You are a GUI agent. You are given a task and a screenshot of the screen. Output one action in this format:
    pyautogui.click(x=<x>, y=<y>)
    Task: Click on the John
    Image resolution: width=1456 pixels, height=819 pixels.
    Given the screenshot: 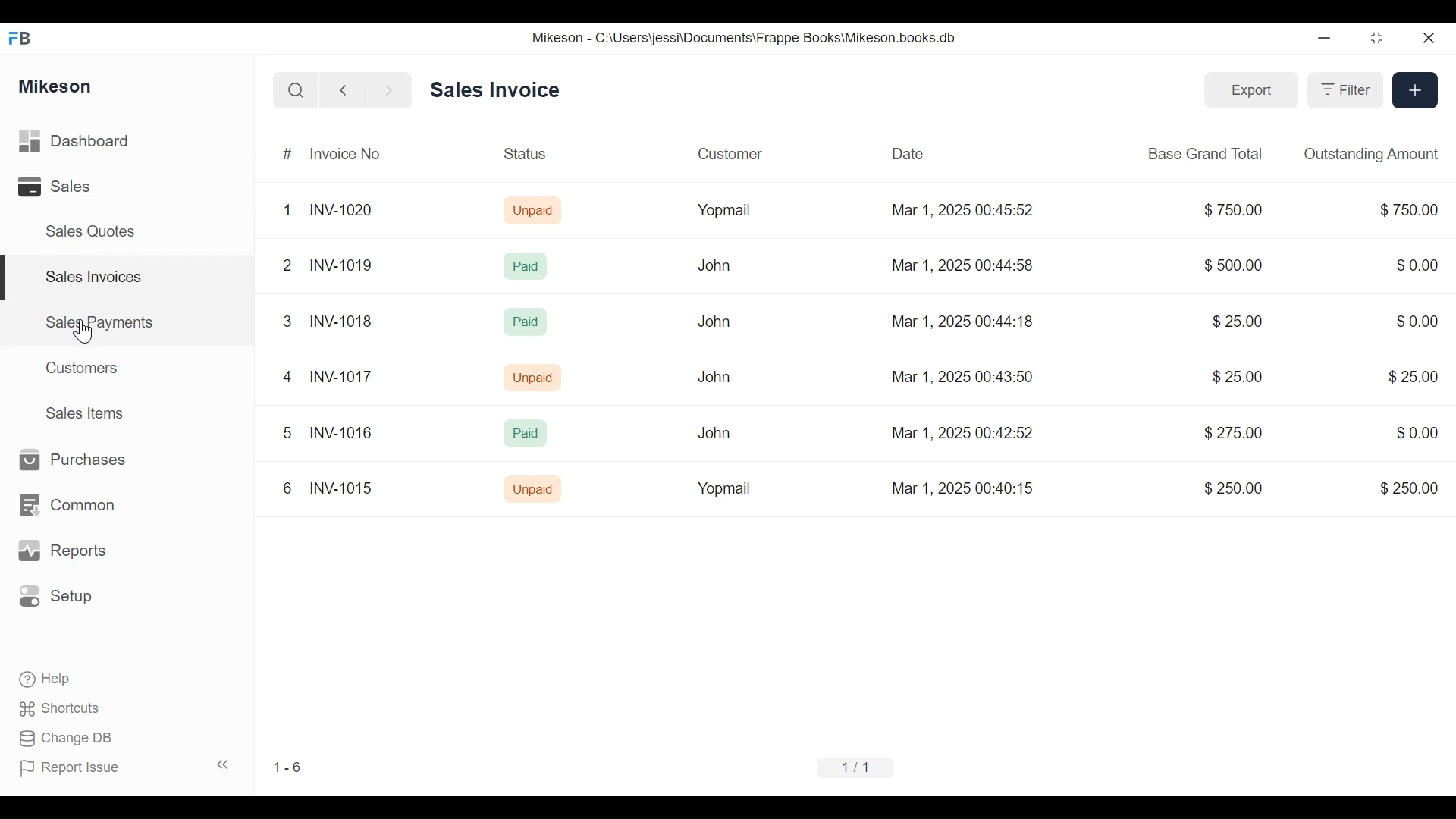 What is the action you would take?
    pyautogui.click(x=709, y=435)
    